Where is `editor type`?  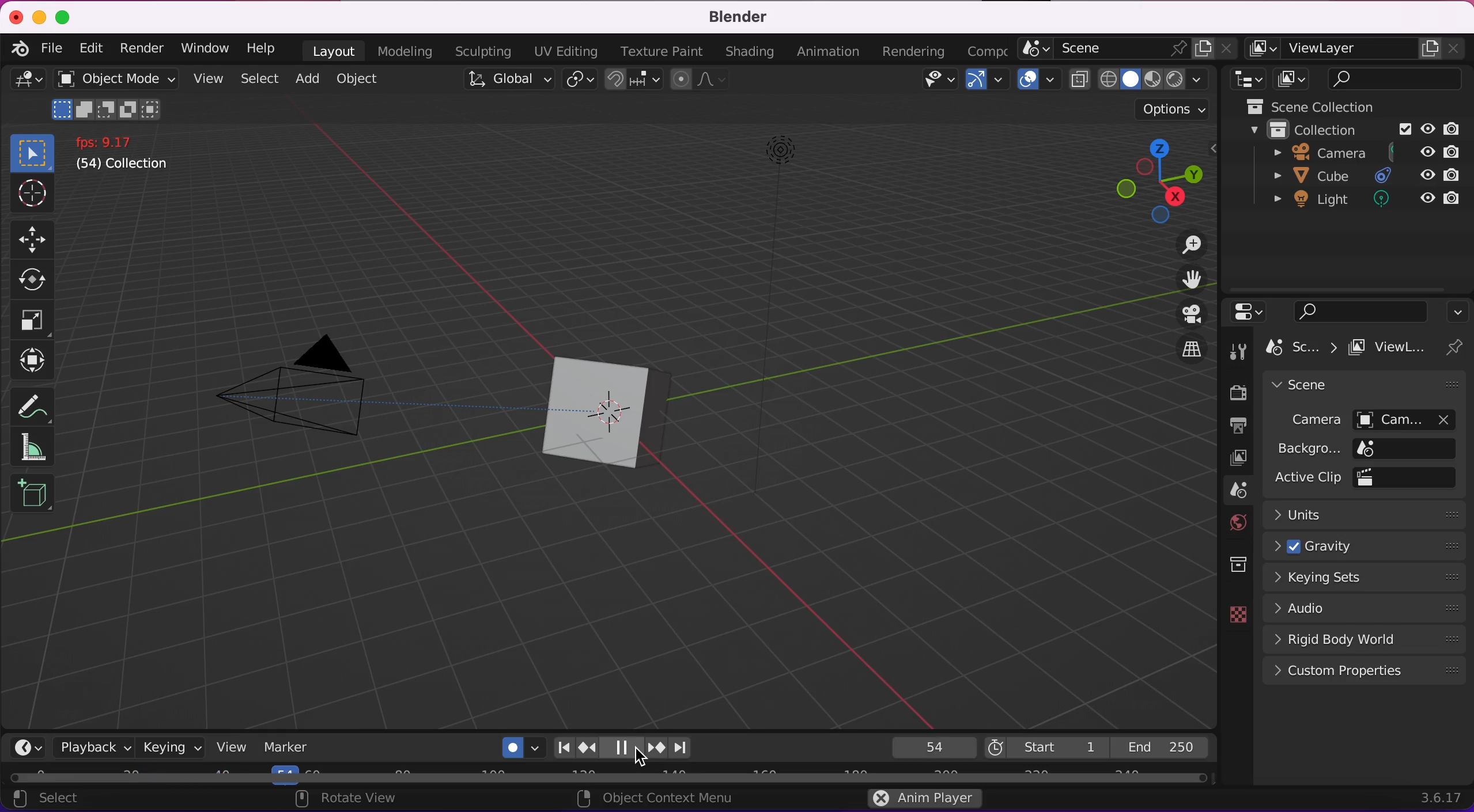
editor type is located at coordinates (1241, 79).